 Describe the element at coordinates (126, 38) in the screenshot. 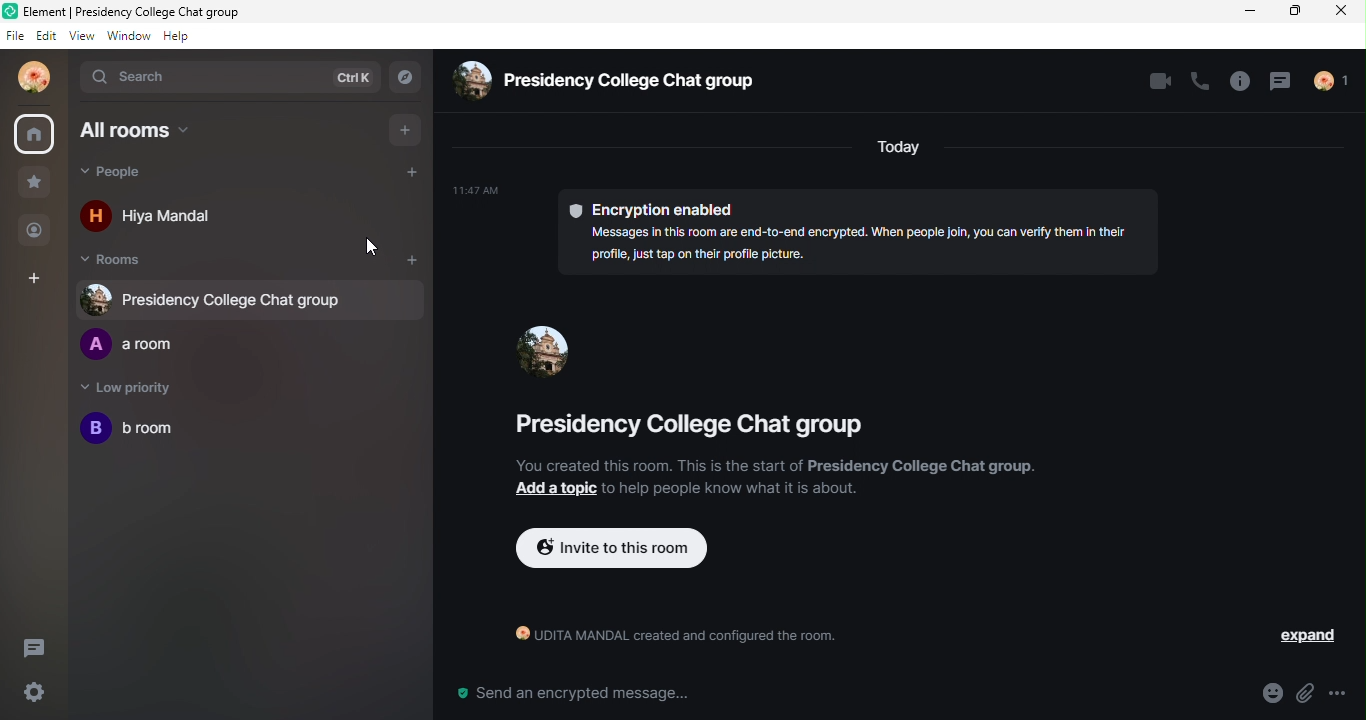

I see `window` at that location.